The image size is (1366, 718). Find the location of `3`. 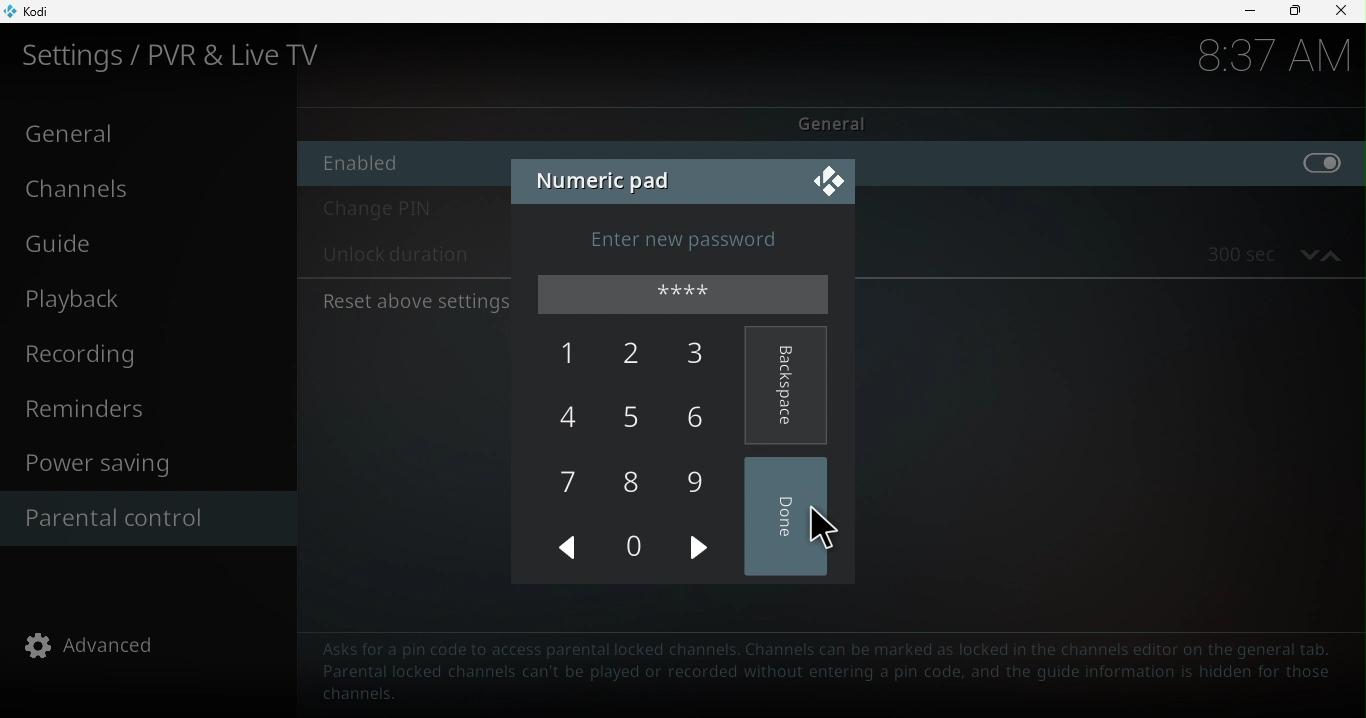

3 is located at coordinates (701, 358).